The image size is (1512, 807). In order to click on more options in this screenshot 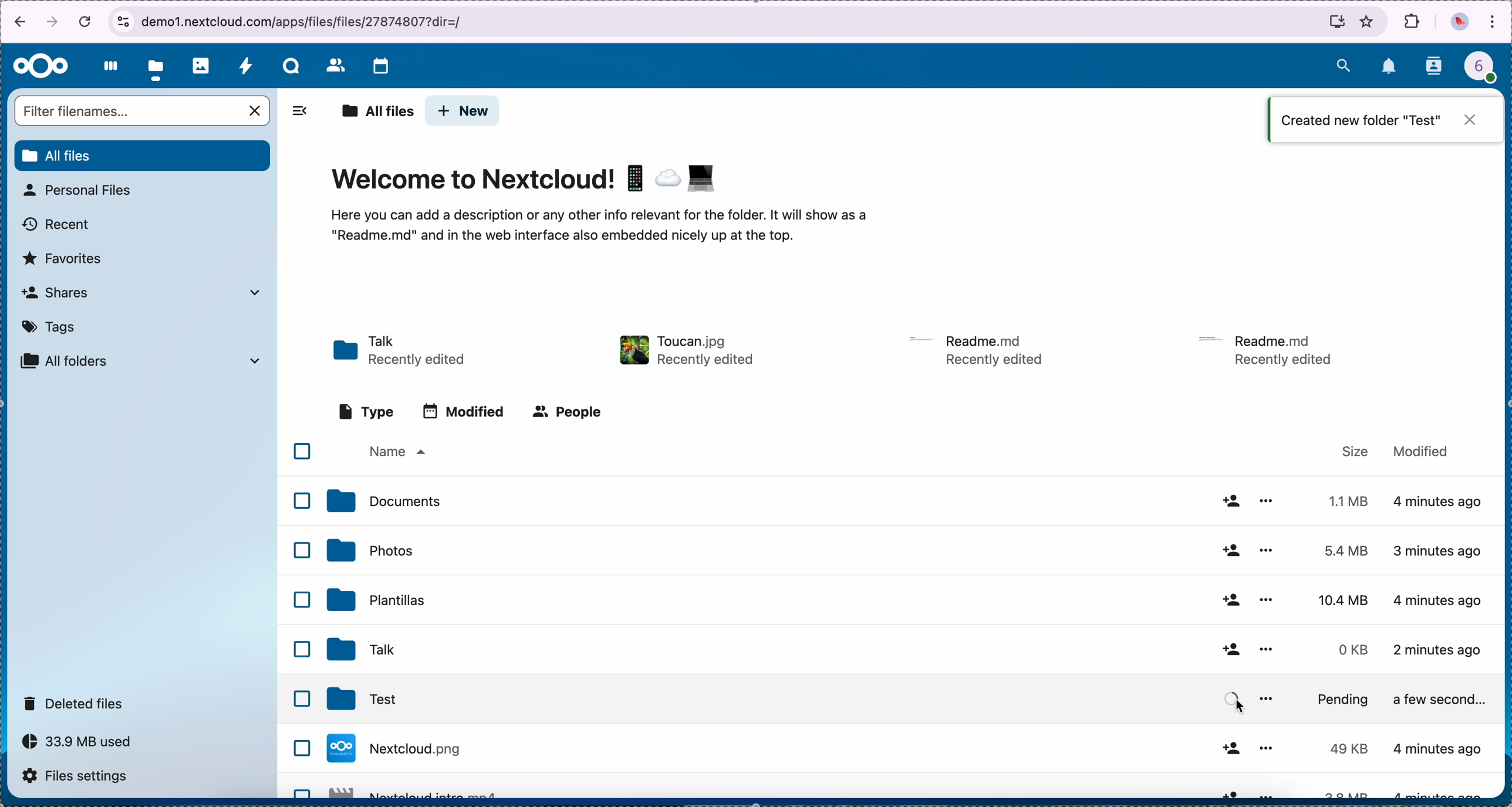, I will do `click(1264, 748)`.